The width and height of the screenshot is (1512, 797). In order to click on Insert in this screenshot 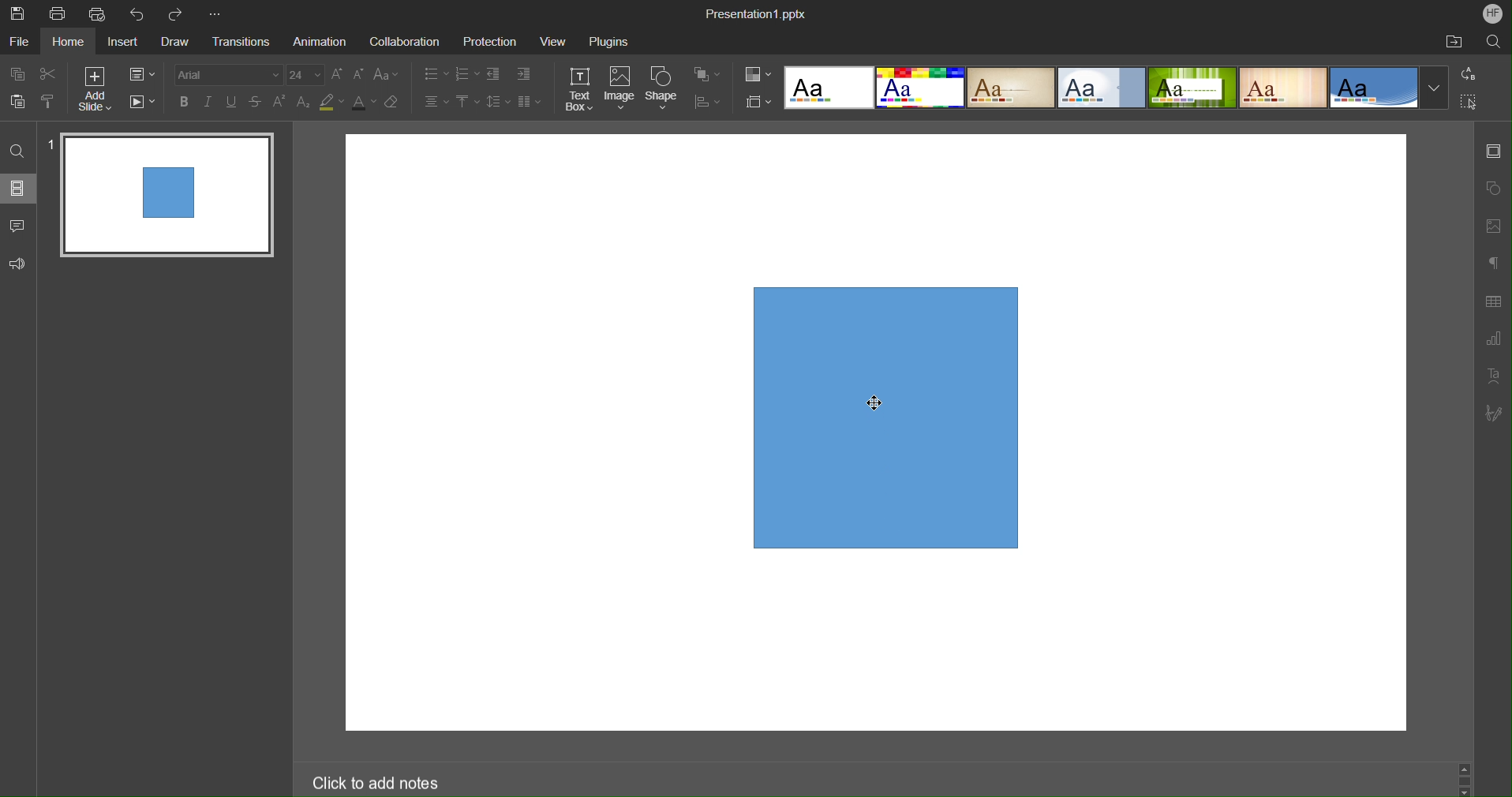, I will do `click(121, 42)`.